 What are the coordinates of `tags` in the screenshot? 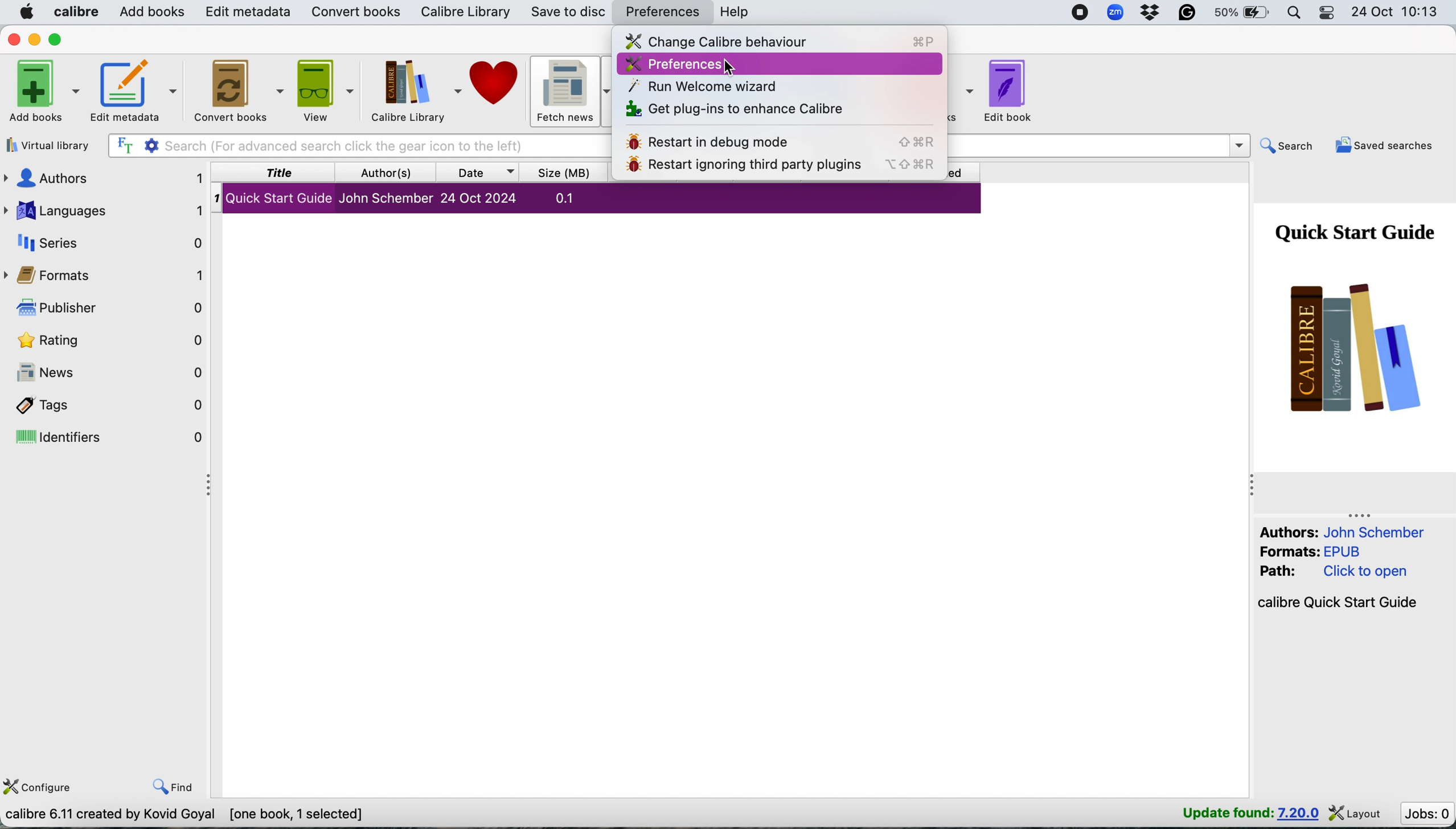 It's located at (112, 405).